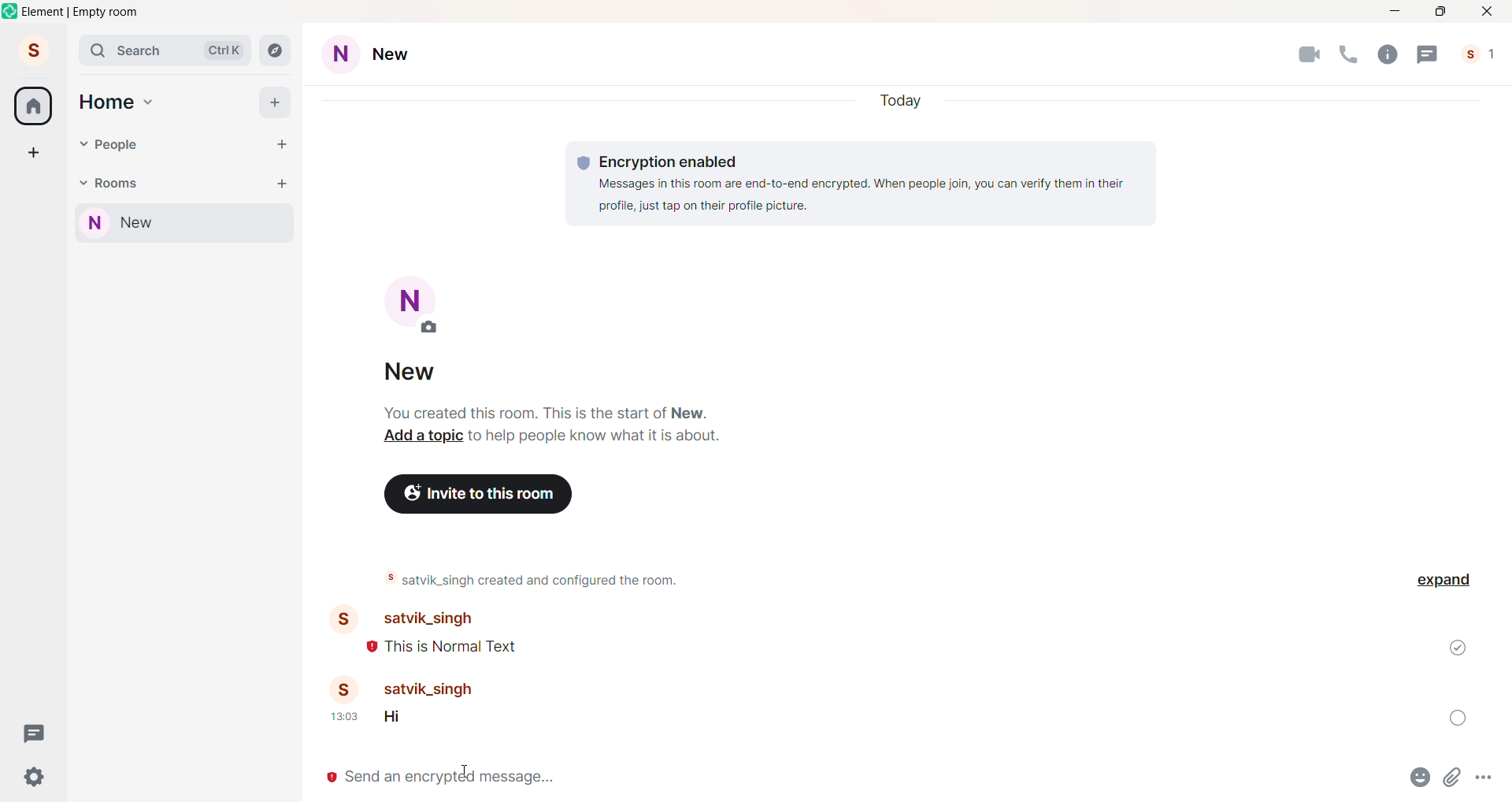 This screenshot has width=1512, height=802. Describe the element at coordinates (150, 100) in the screenshot. I see `Home drop down` at that location.